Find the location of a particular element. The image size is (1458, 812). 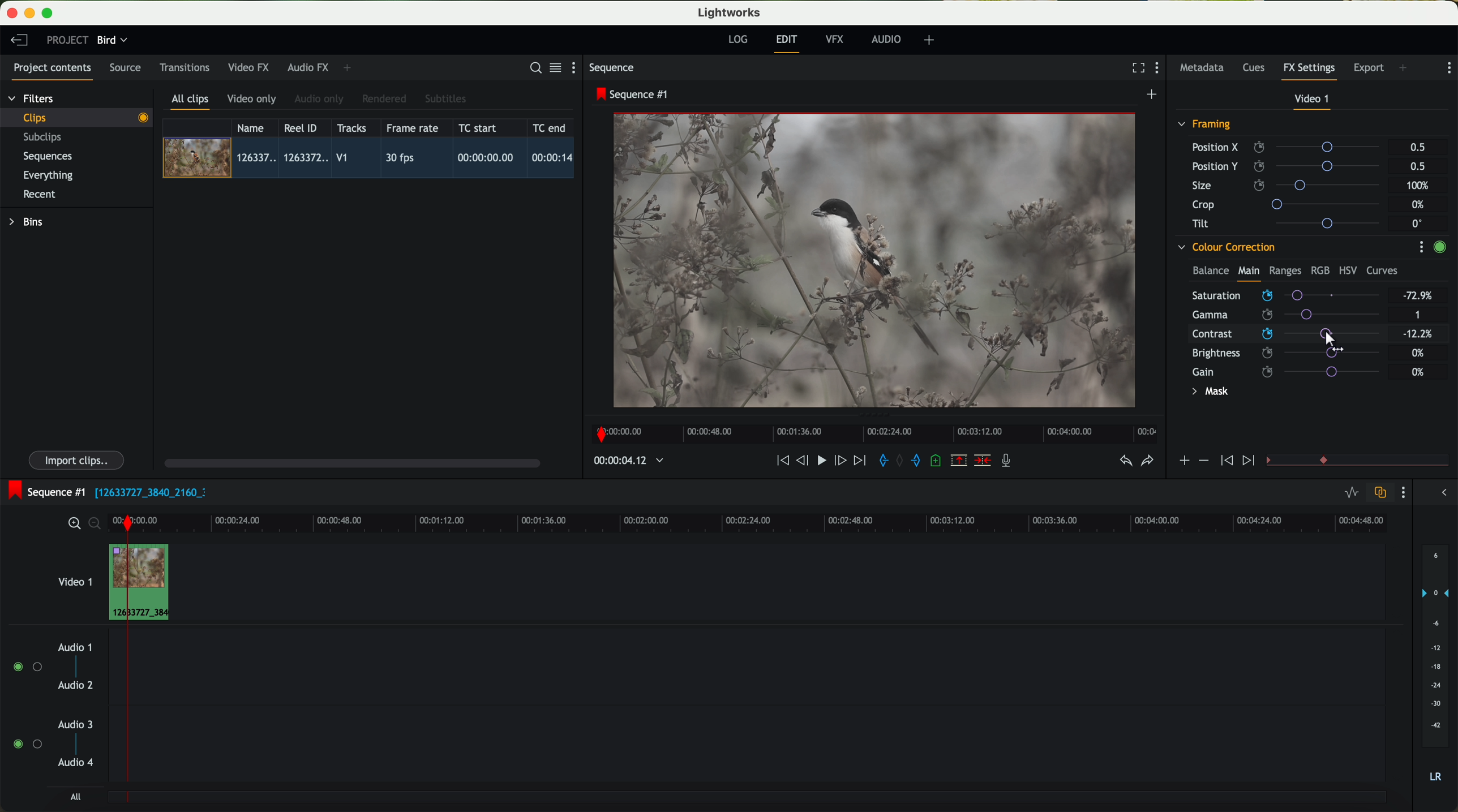

toggle between list and title view is located at coordinates (554, 67).